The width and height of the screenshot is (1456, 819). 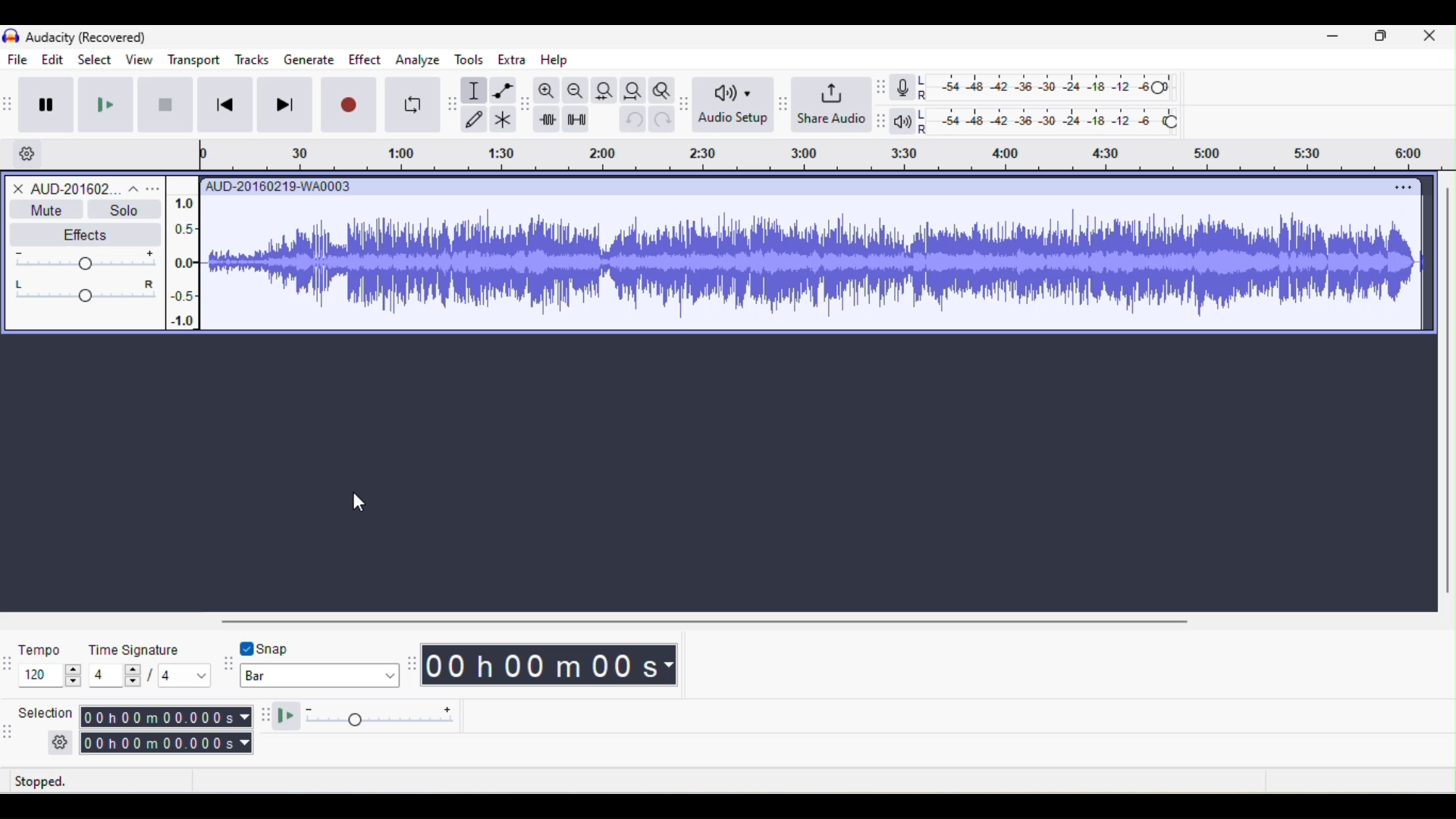 What do you see at coordinates (319, 676) in the screenshot?
I see `bar` at bounding box center [319, 676].